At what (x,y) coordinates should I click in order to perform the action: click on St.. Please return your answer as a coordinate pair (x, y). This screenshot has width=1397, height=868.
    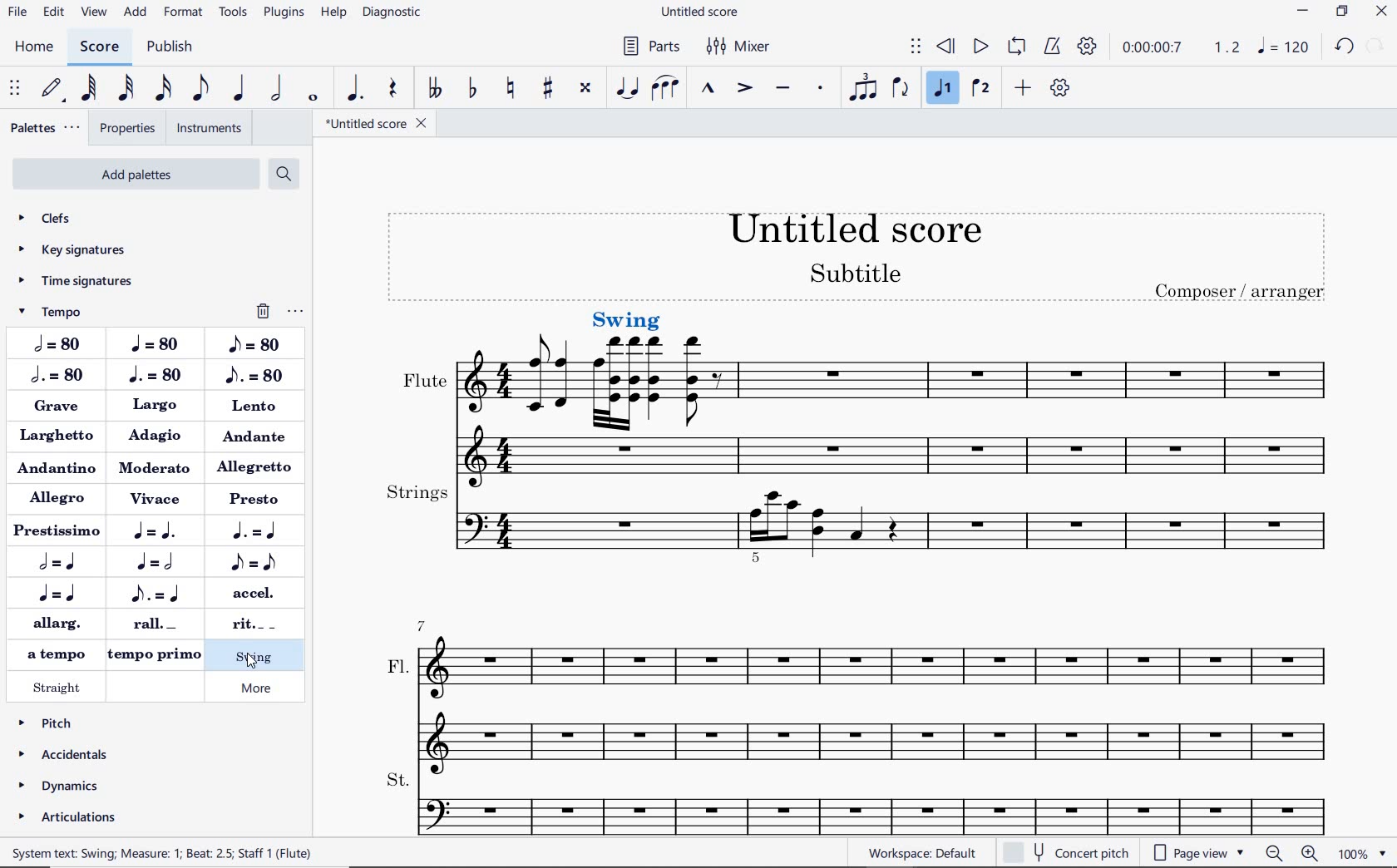
    Looking at the image, I should click on (873, 800).